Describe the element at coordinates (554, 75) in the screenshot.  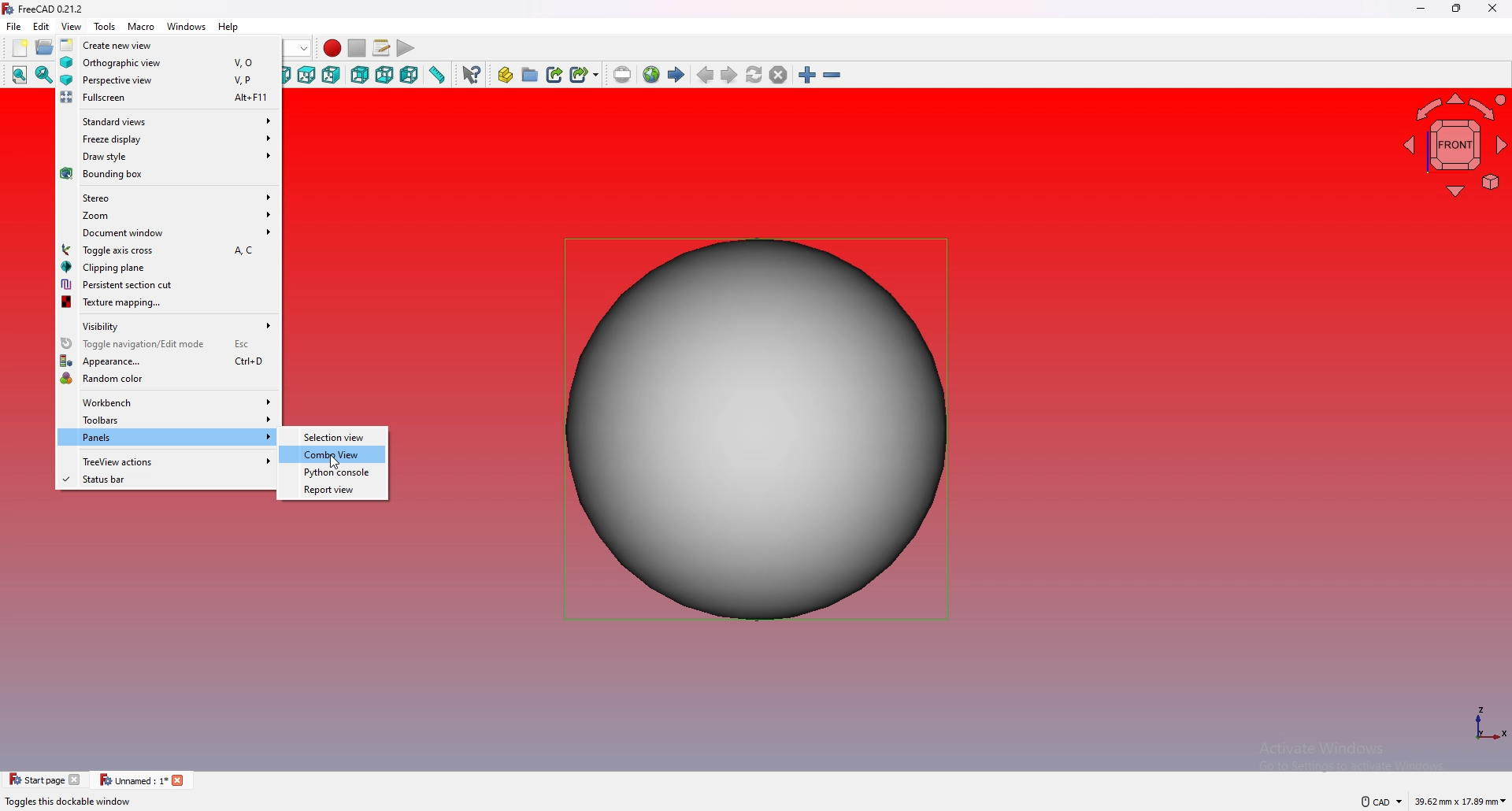
I see `create link` at that location.